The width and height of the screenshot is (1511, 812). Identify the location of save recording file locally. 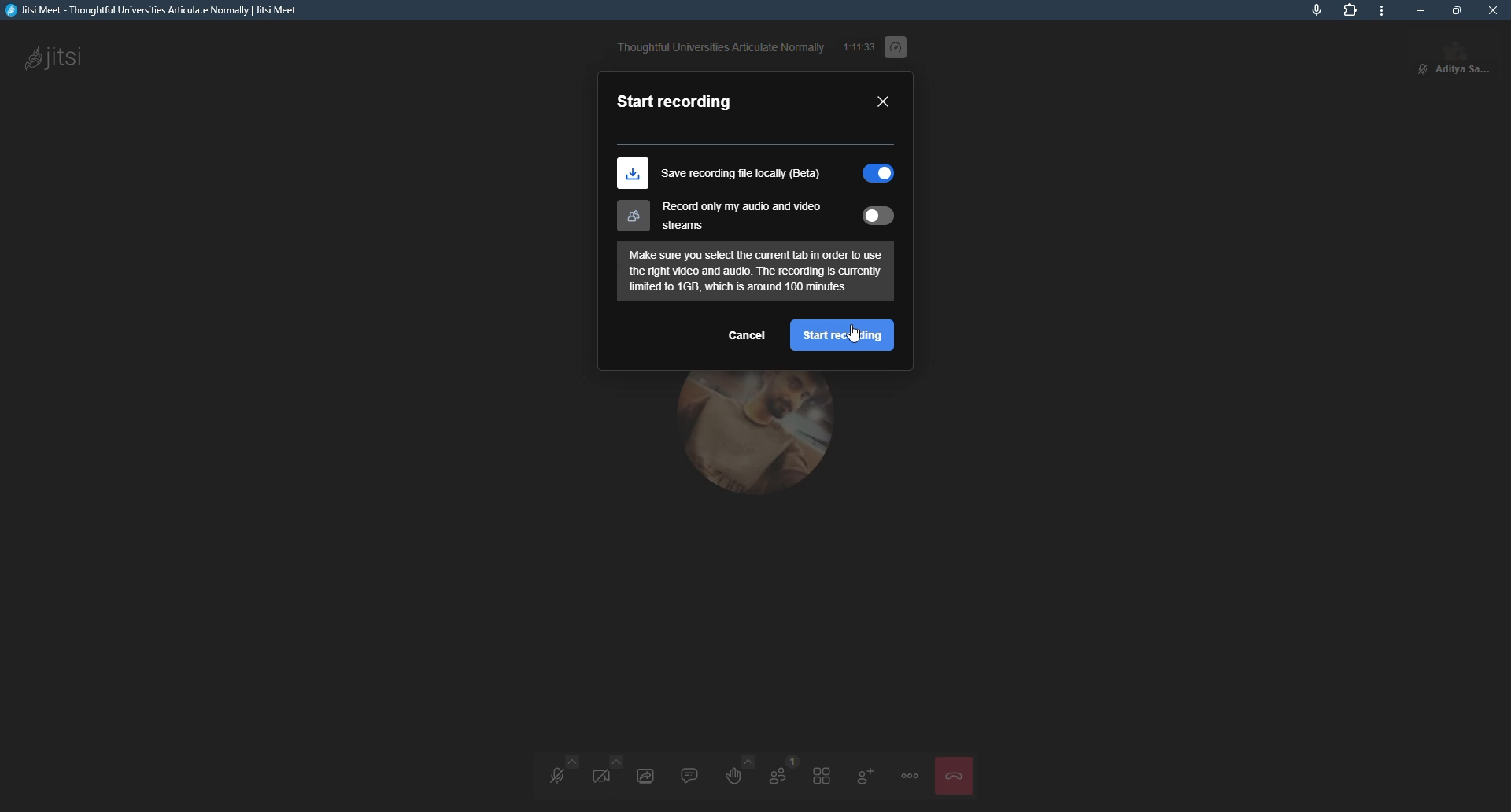
(720, 173).